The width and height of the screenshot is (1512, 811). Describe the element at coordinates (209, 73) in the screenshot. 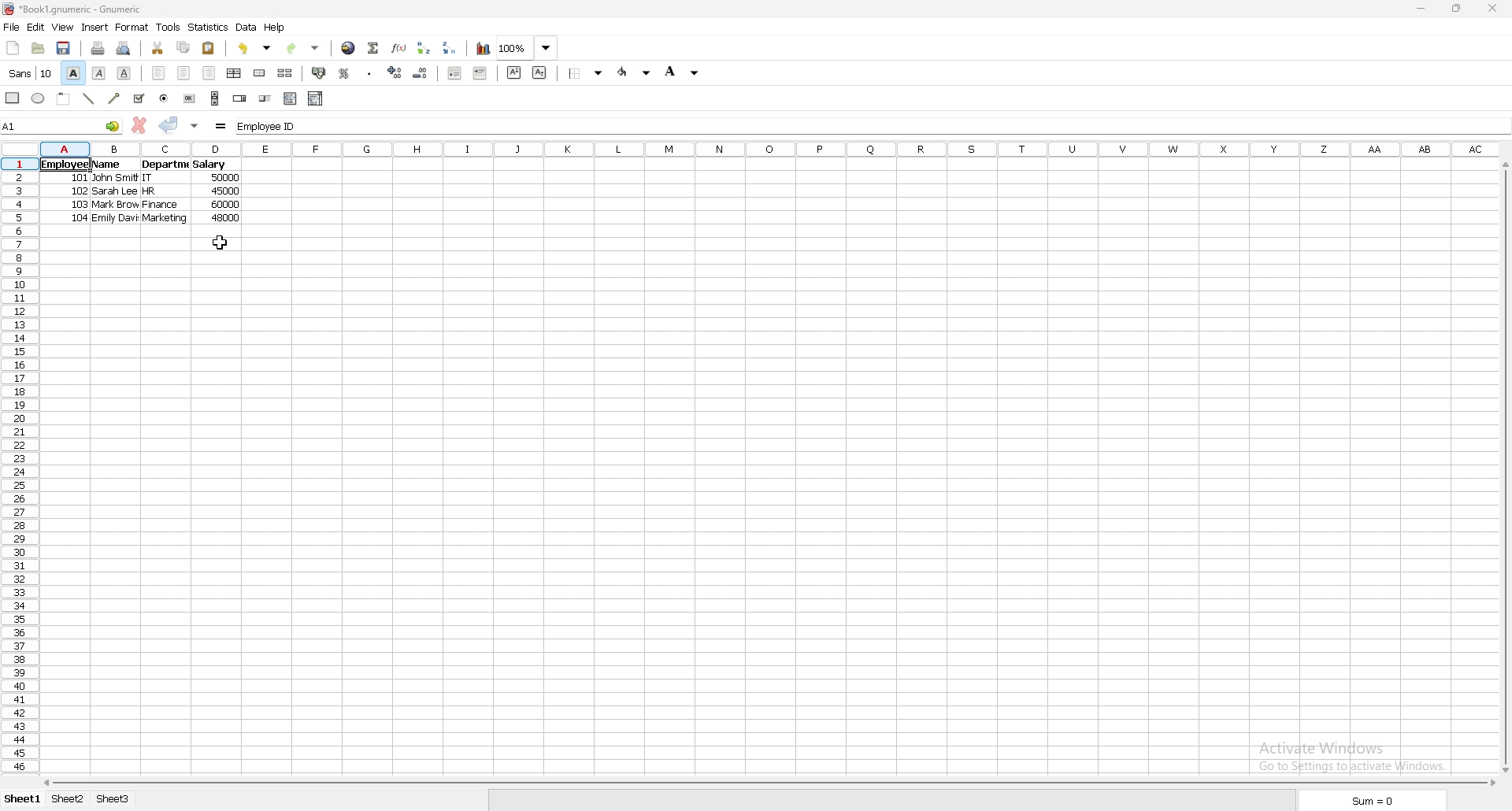

I see `right indent` at that location.